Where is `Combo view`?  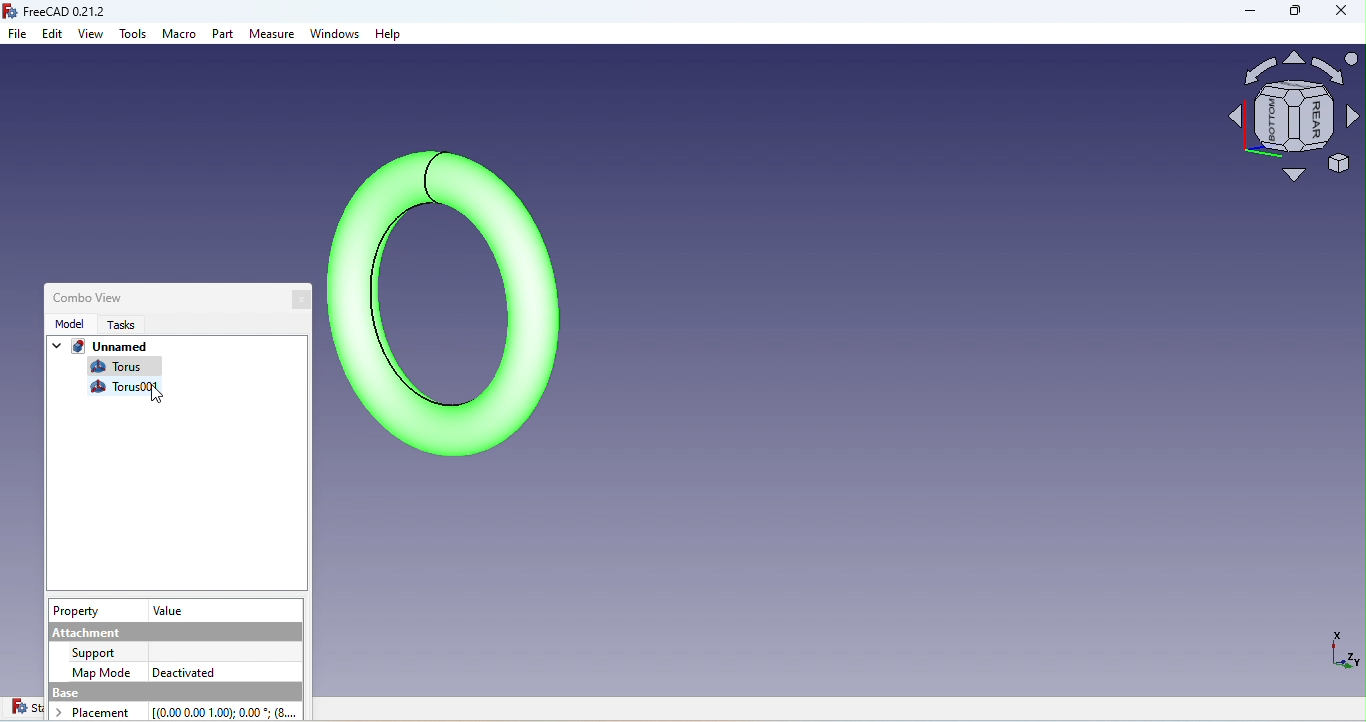
Combo view is located at coordinates (83, 296).